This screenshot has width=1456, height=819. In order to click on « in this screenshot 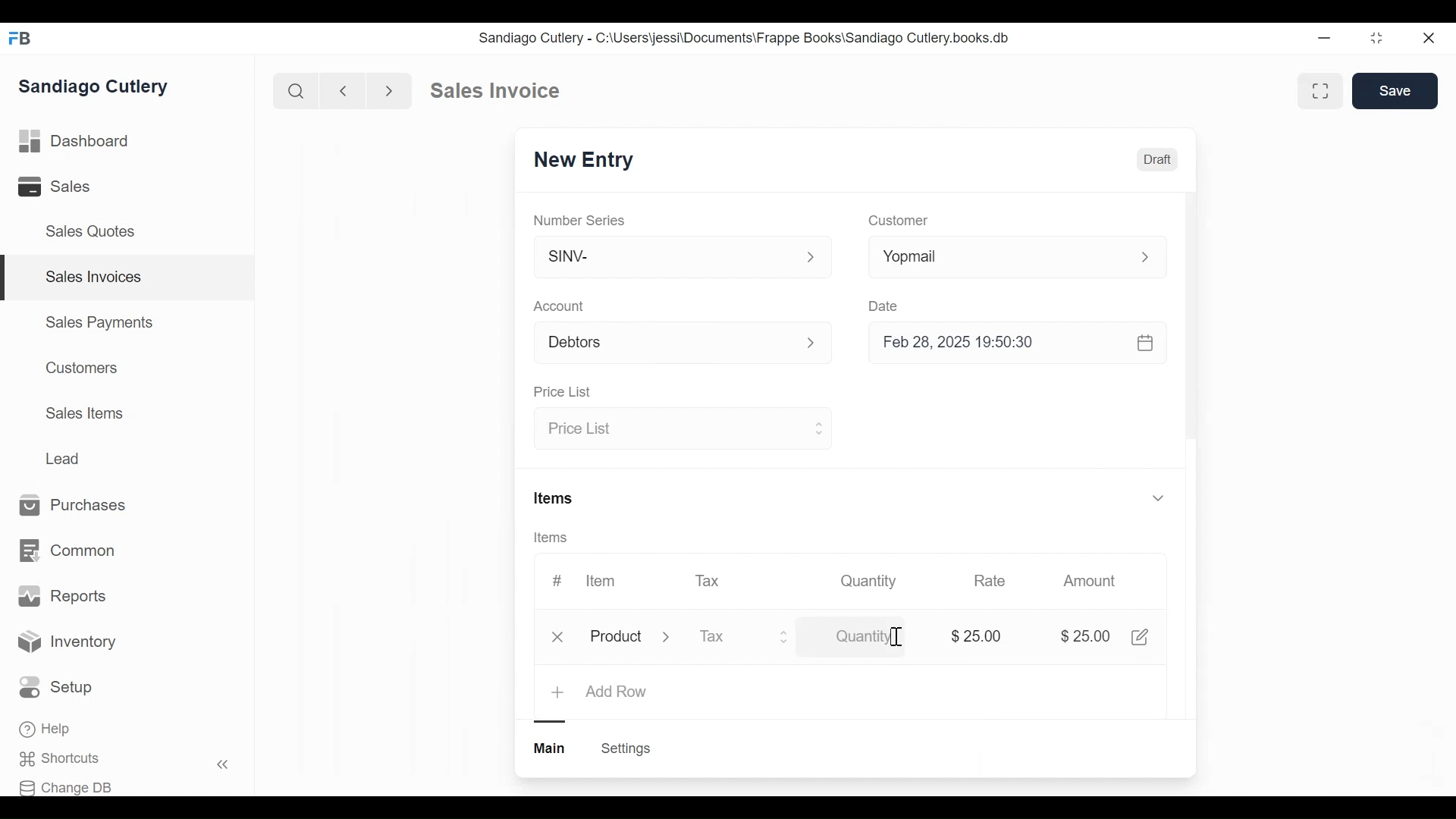, I will do `click(223, 767)`.